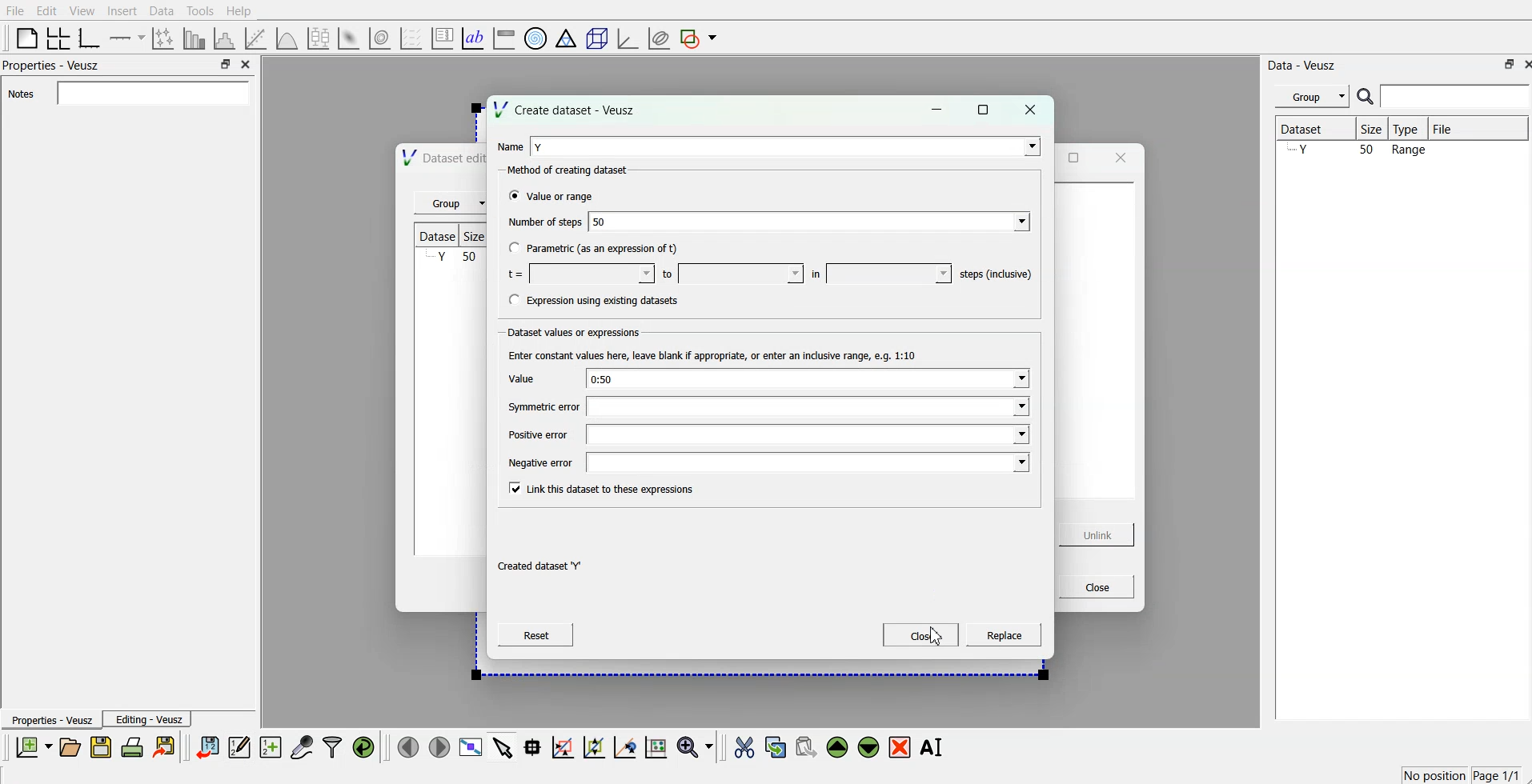 This screenshot has height=784, width=1532. What do you see at coordinates (380, 36) in the screenshot?
I see `plot 2d datasets as contours` at bounding box center [380, 36].